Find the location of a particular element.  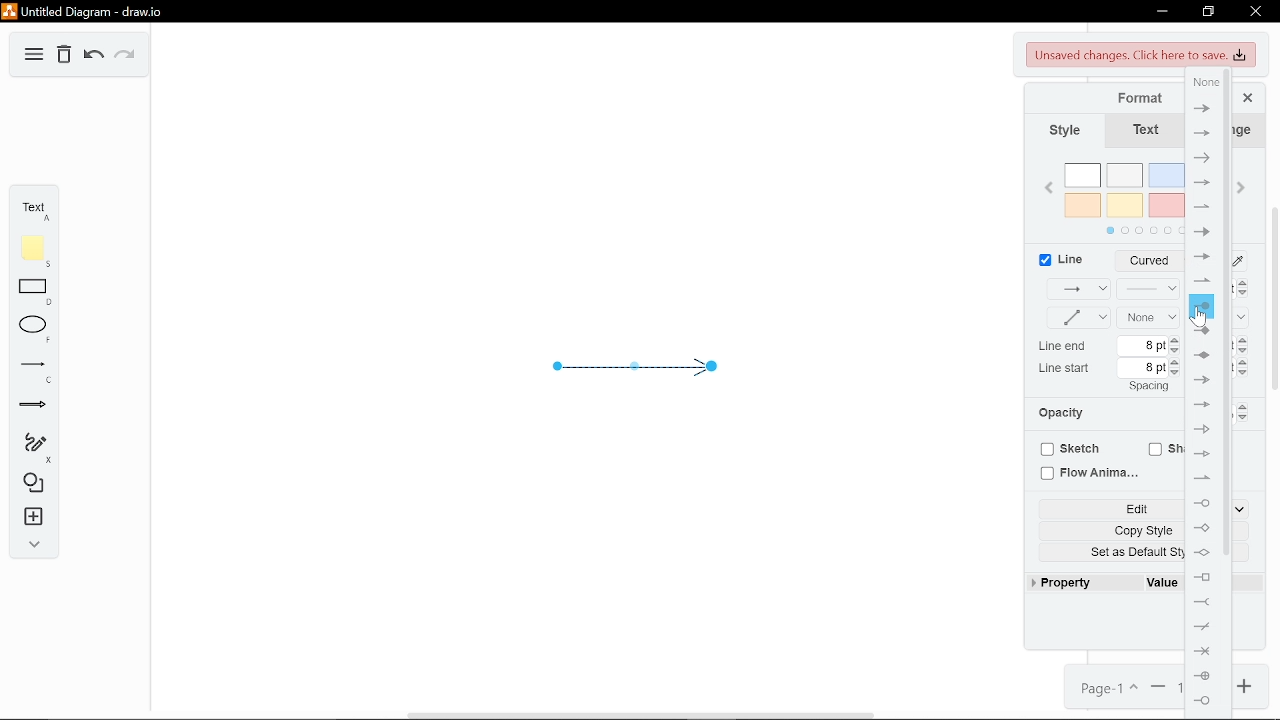

Redo is located at coordinates (126, 56).